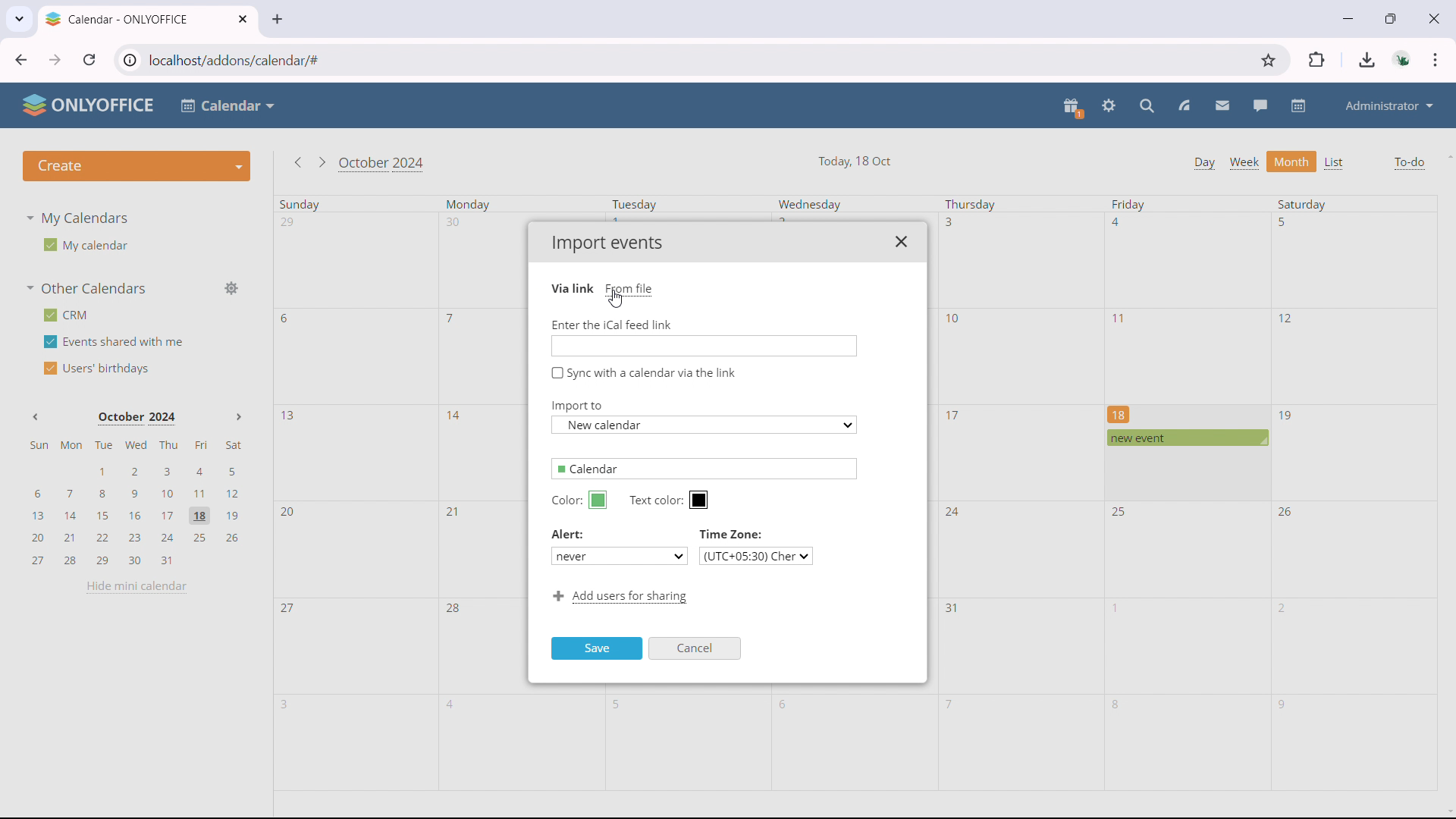 The height and width of the screenshot is (819, 1456). Describe the element at coordinates (454, 222) in the screenshot. I see `30` at that location.